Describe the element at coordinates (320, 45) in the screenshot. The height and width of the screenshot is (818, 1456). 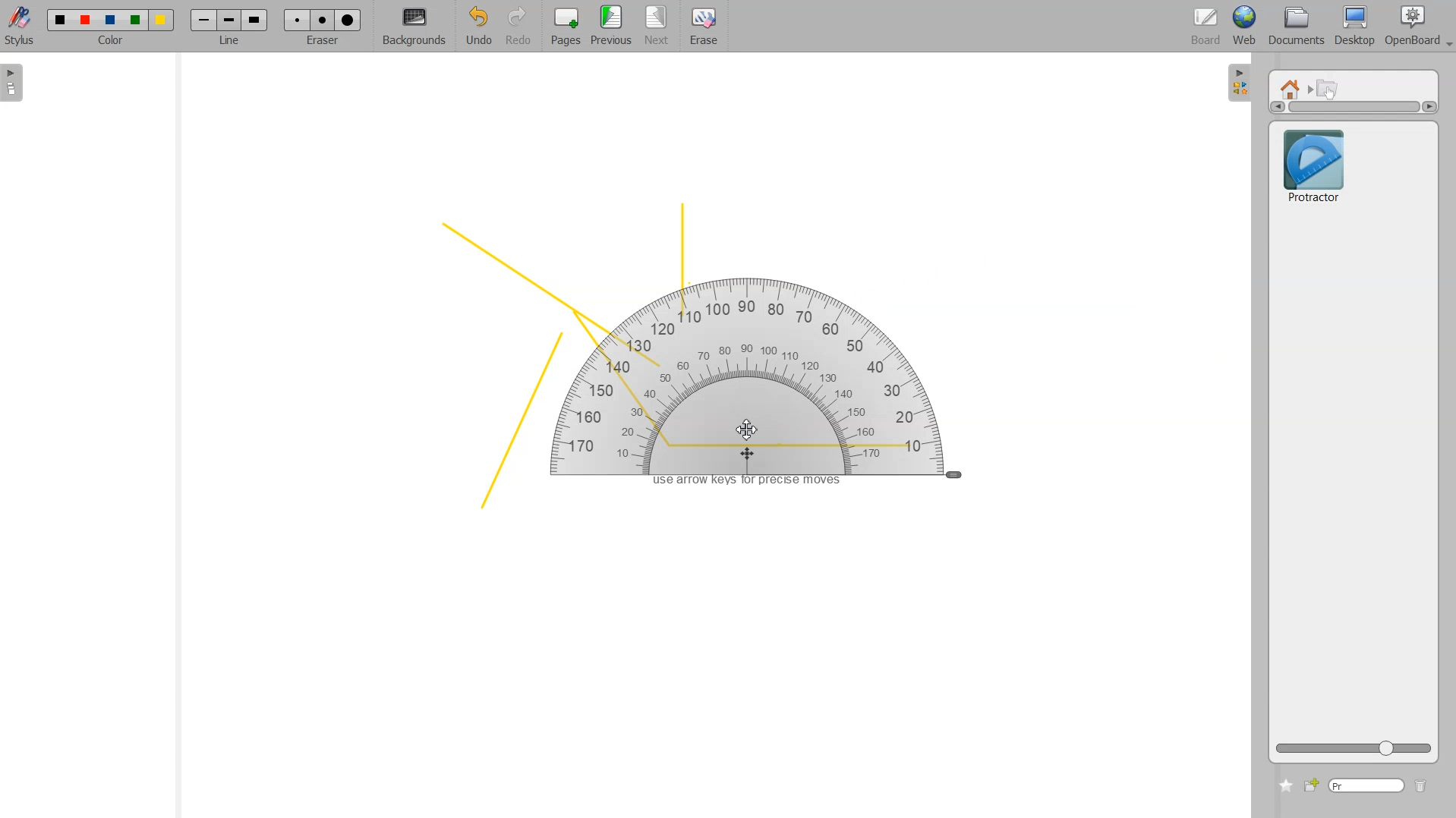
I see `eraser` at that location.